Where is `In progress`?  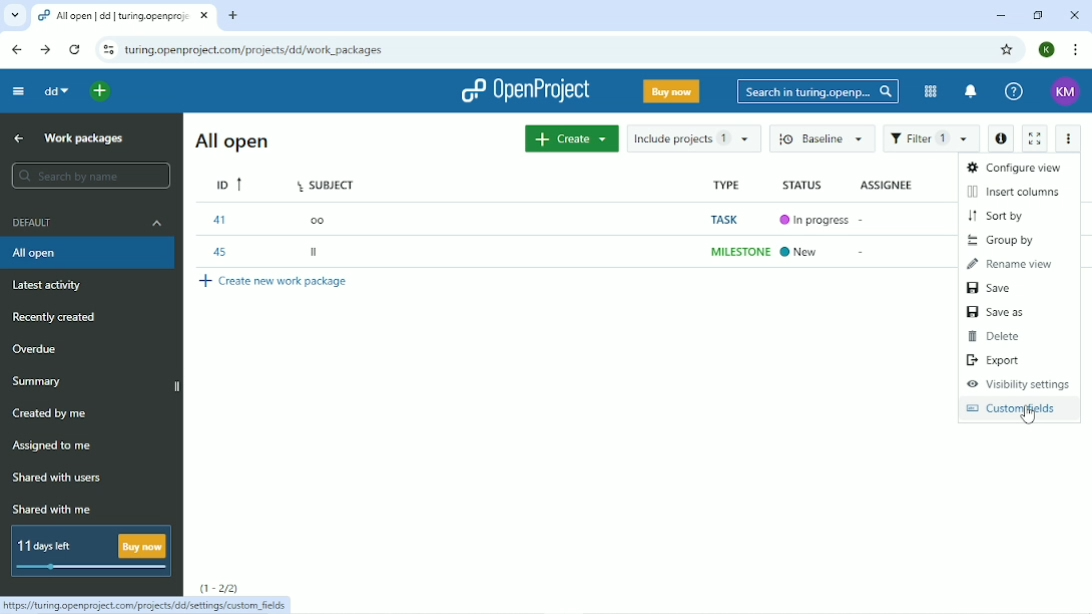 In progress is located at coordinates (811, 219).